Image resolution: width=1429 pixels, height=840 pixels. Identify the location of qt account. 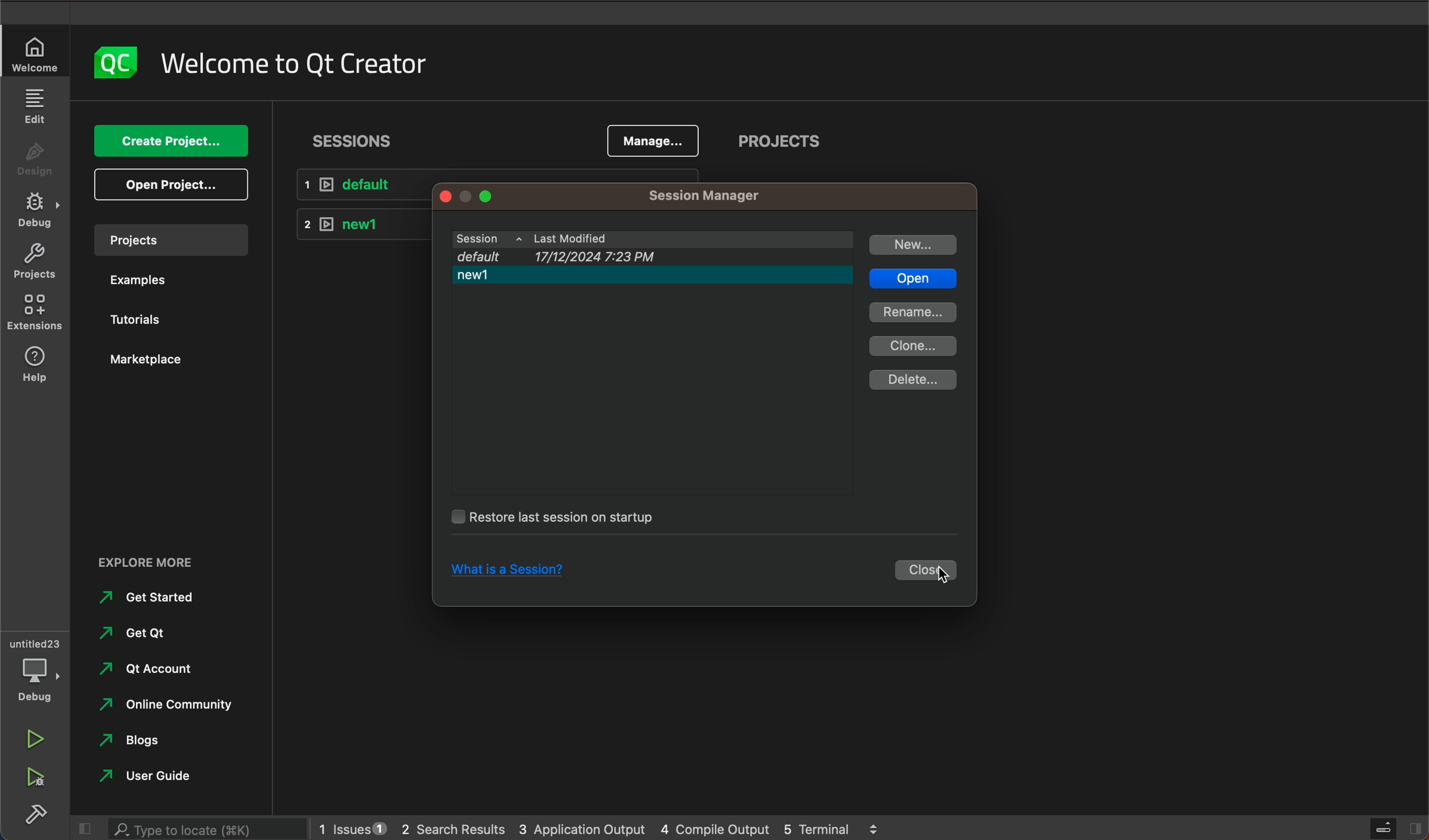
(164, 670).